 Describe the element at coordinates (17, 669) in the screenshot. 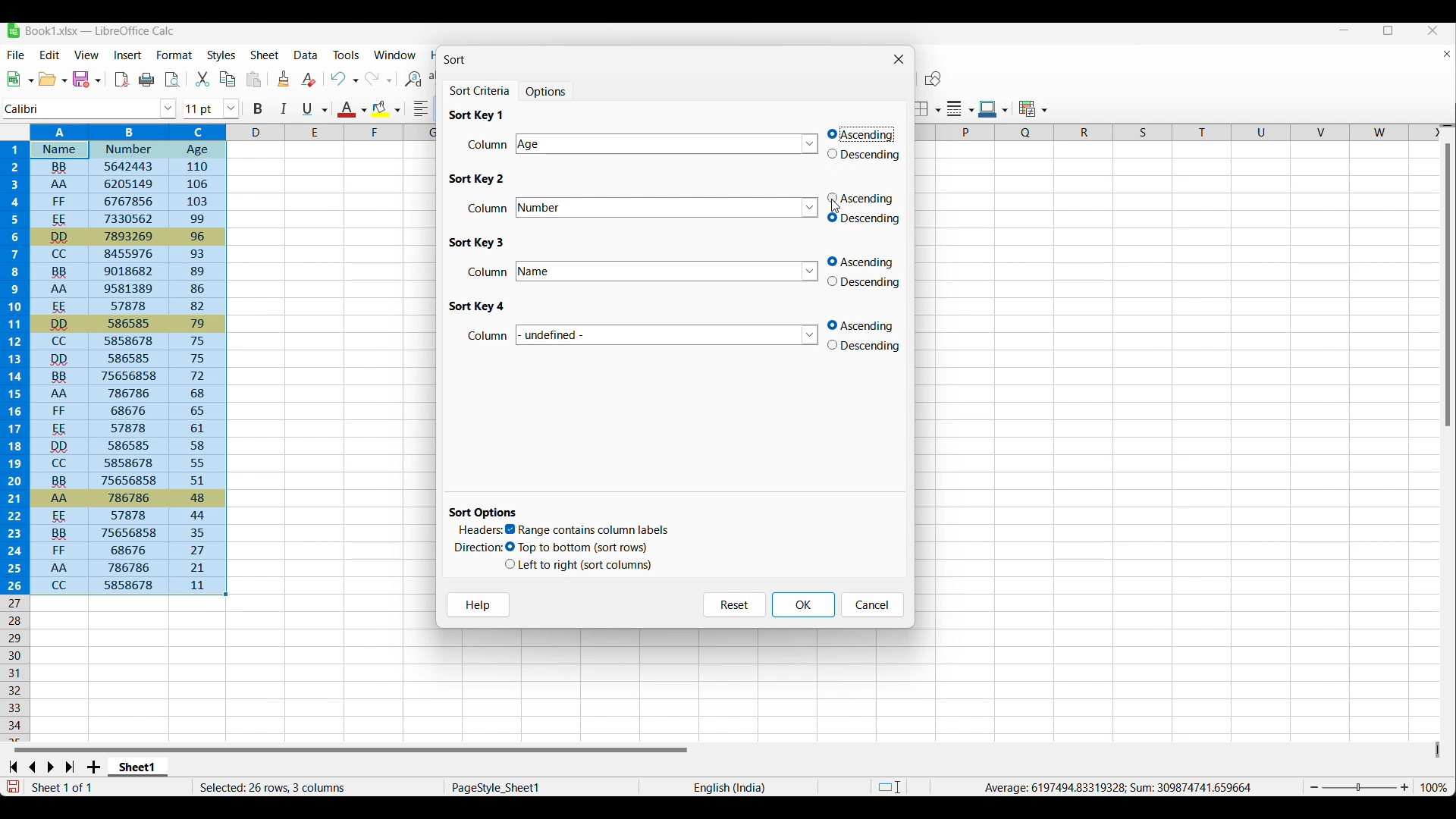

I see `Rows marker` at that location.